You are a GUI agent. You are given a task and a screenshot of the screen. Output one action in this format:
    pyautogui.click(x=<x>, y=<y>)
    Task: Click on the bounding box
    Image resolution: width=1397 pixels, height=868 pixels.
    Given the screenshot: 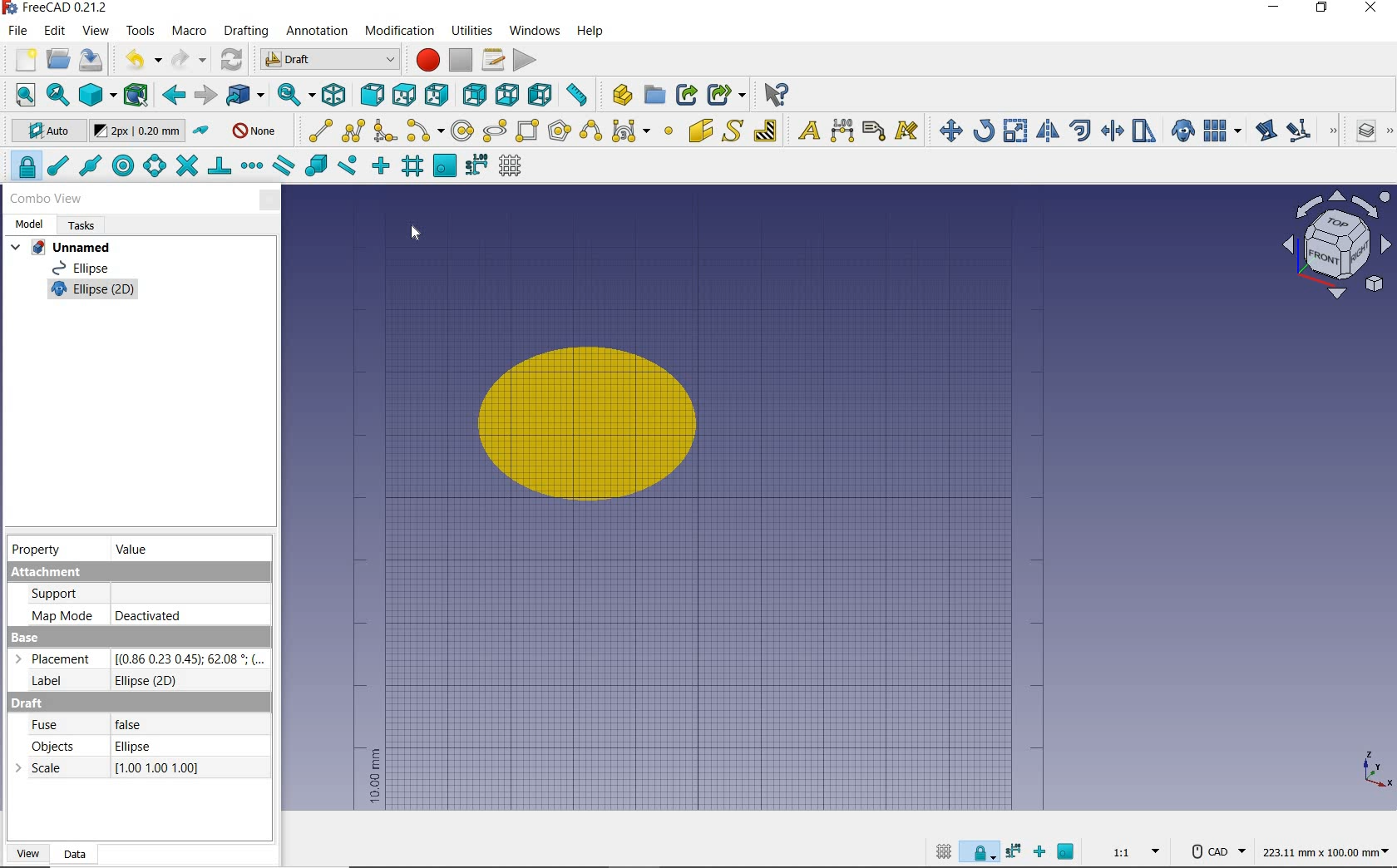 What is the action you would take?
    pyautogui.click(x=137, y=96)
    